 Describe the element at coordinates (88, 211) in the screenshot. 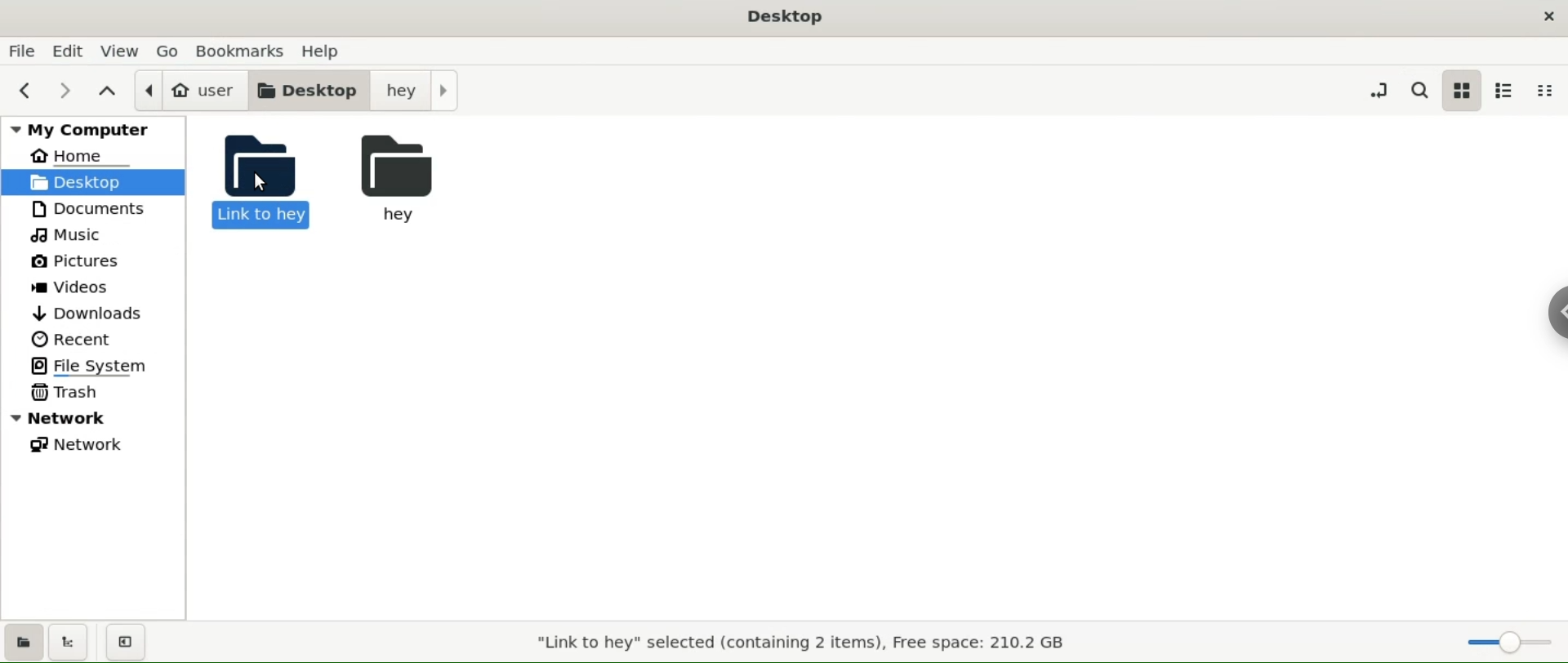

I see `documents` at that location.